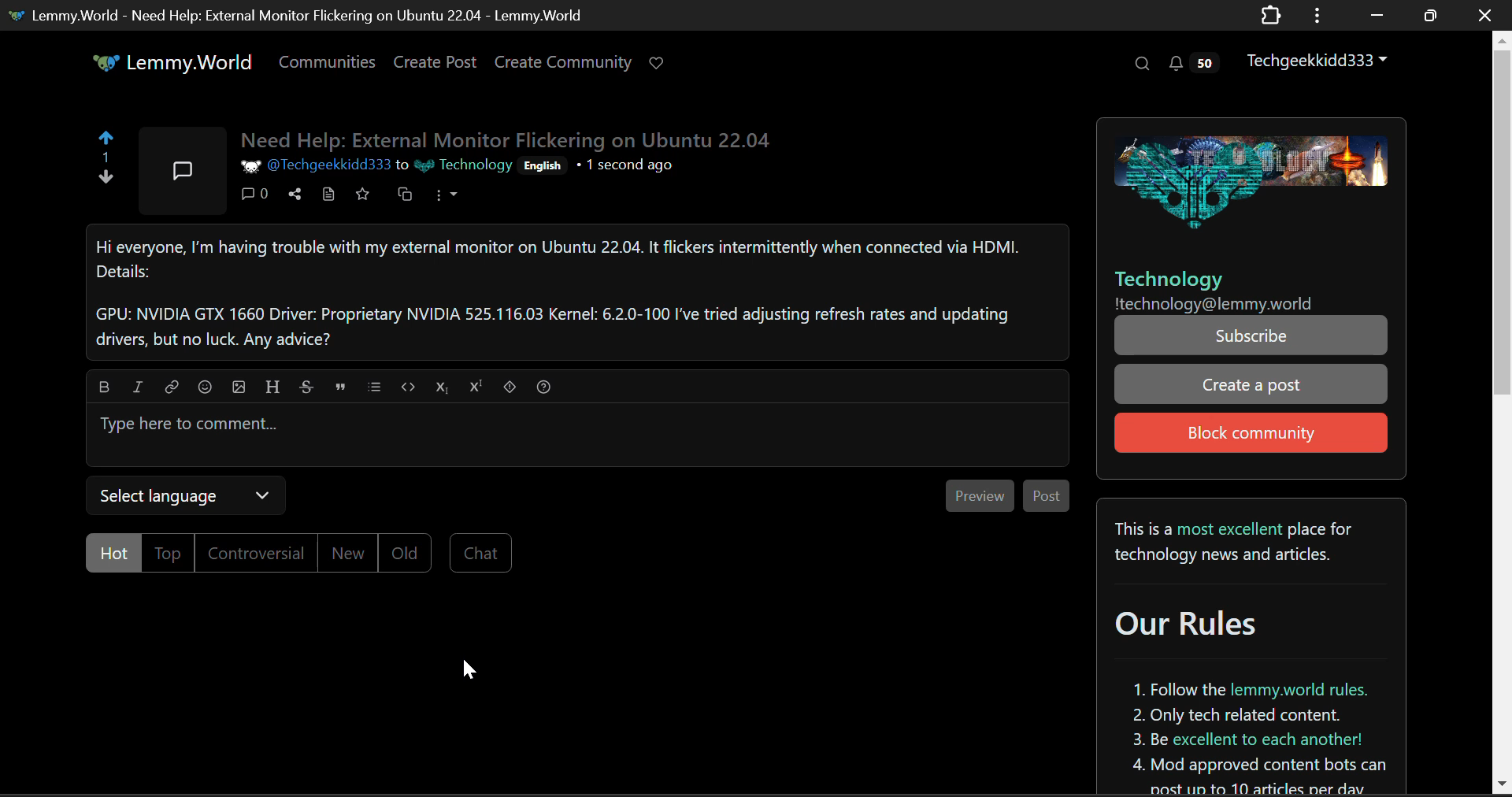 This screenshot has width=1512, height=797. Describe the element at coordinates (104, 386) in the screenshot. I see `Bold` at that location.